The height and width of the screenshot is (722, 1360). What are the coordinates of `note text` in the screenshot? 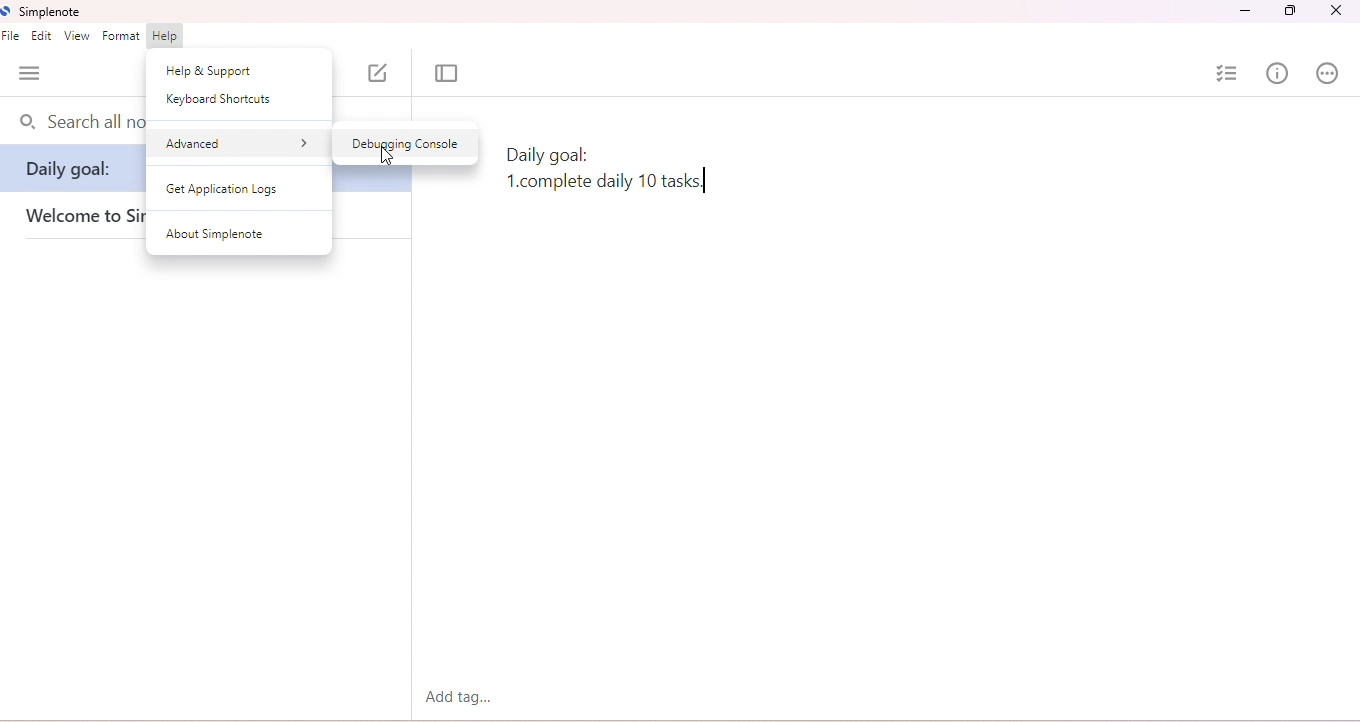 It's located at (607, 167).